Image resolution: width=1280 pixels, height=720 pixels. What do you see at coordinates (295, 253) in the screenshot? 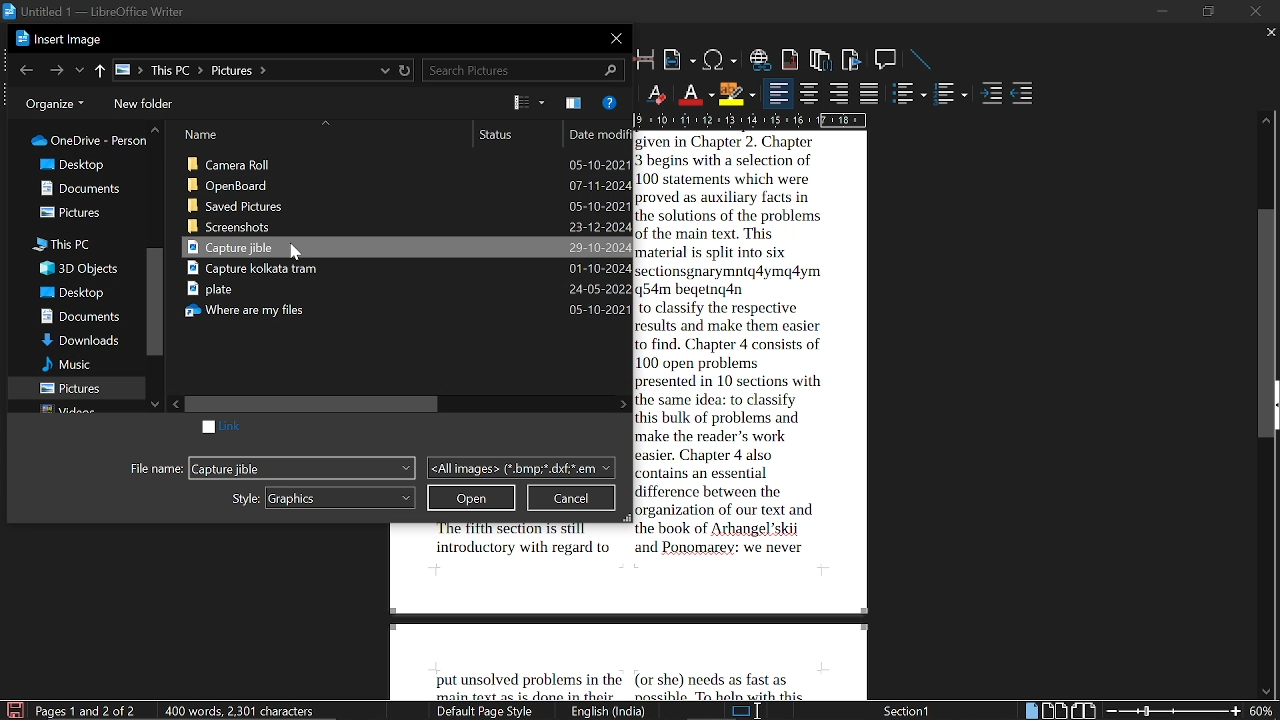
I see `cursor` at bounding box center [295, 253].